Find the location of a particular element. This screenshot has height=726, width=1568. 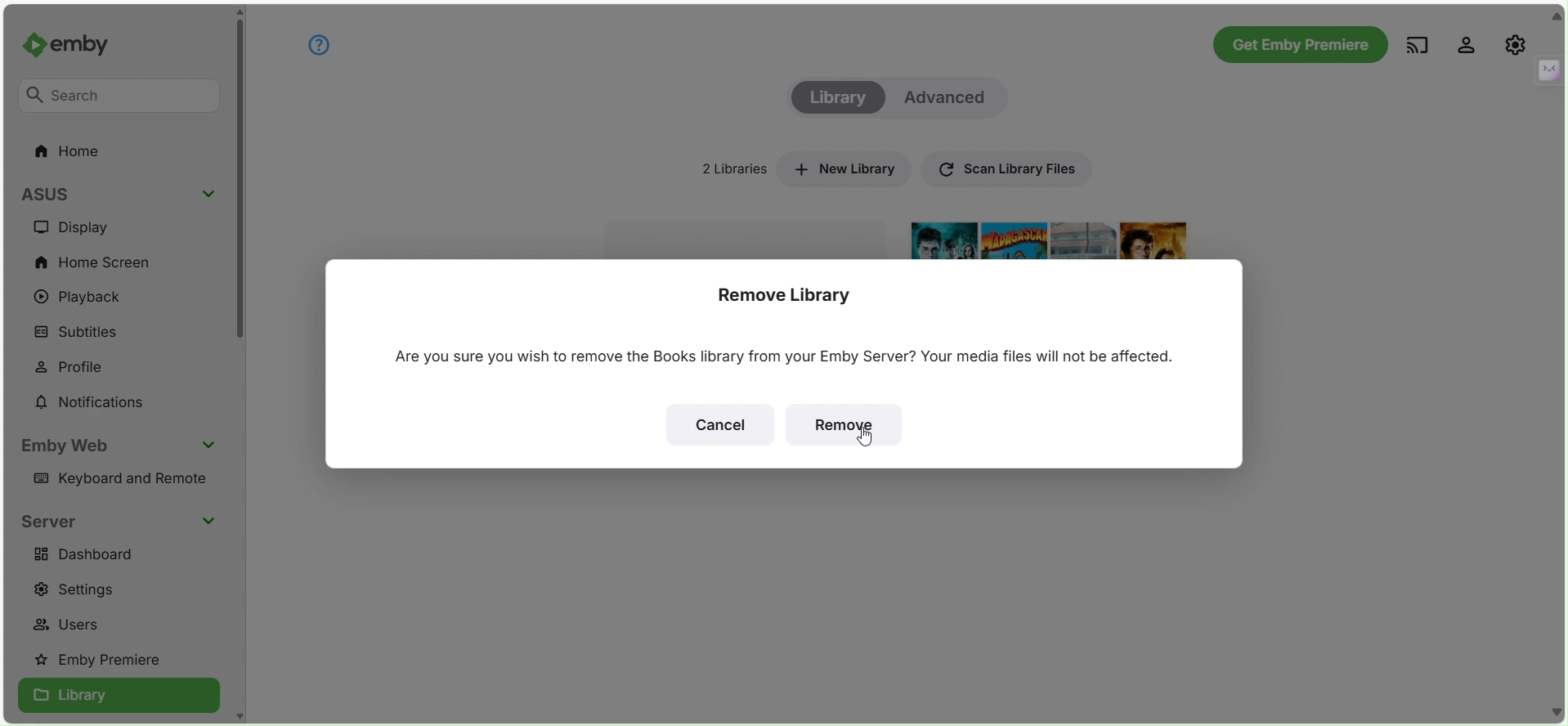

Subtitles is located at coordinates (82, 333).